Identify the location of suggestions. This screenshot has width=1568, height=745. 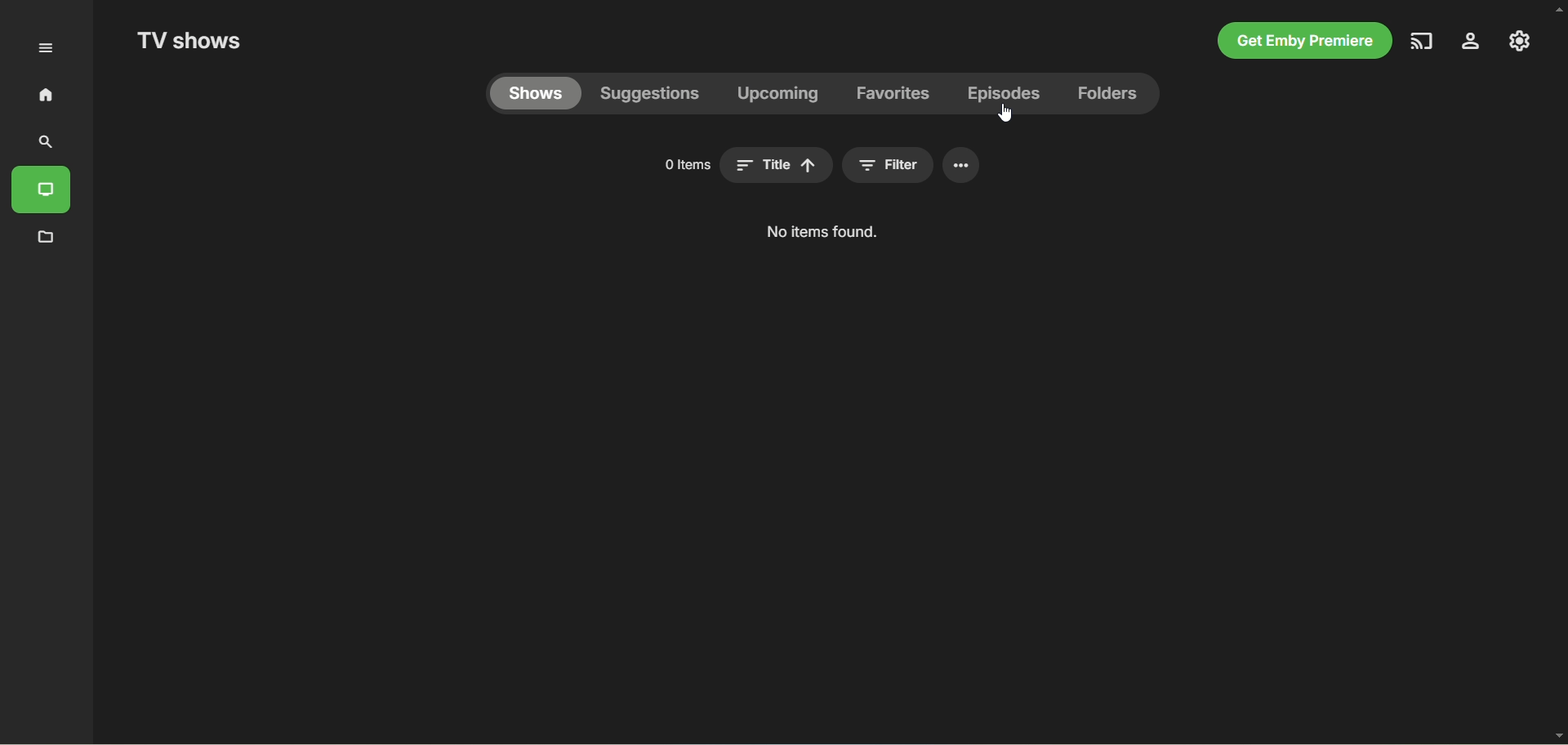
(650, 96).